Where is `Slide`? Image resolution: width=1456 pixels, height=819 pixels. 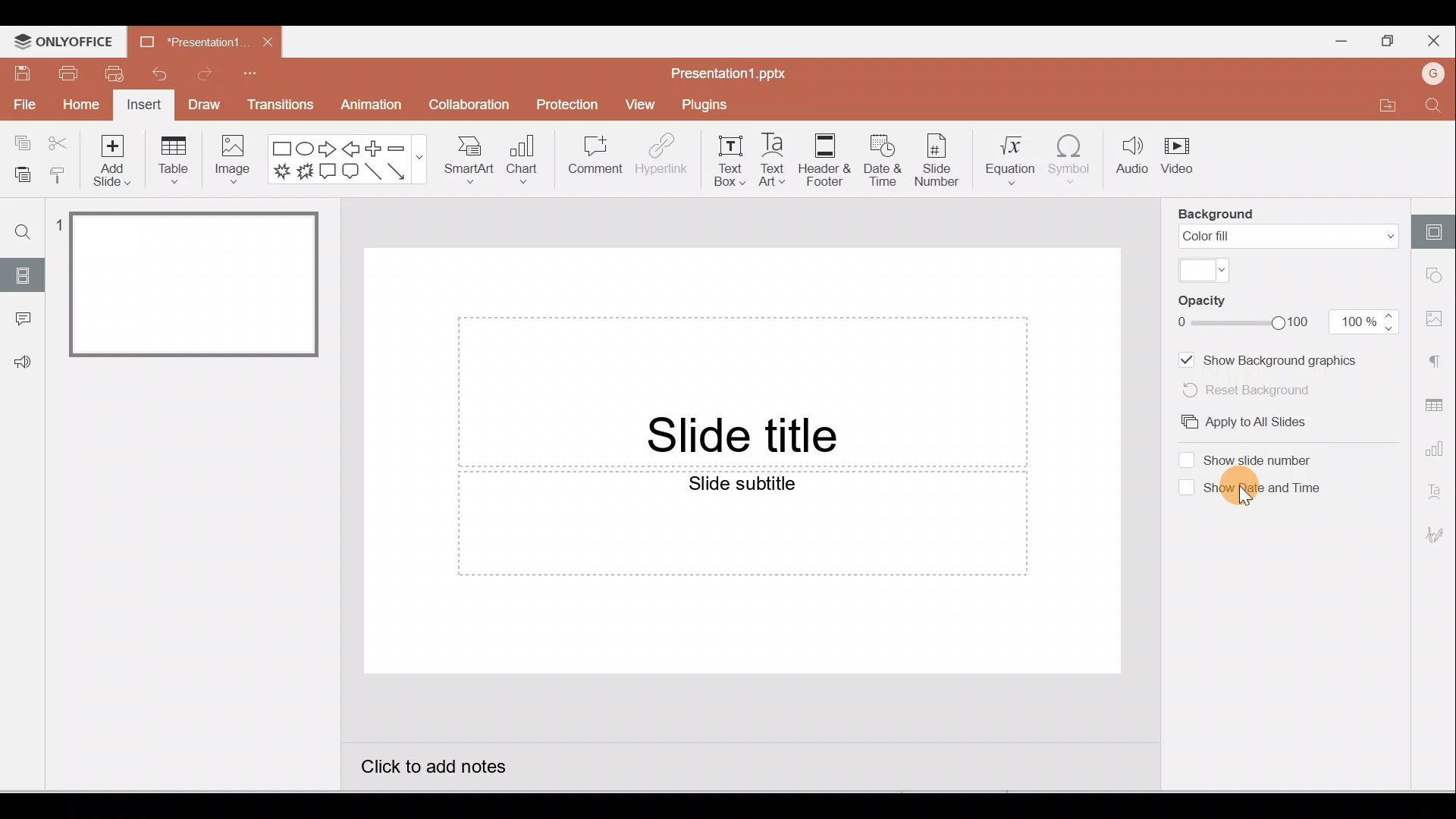 Slide is located at coordinates (24, 274).